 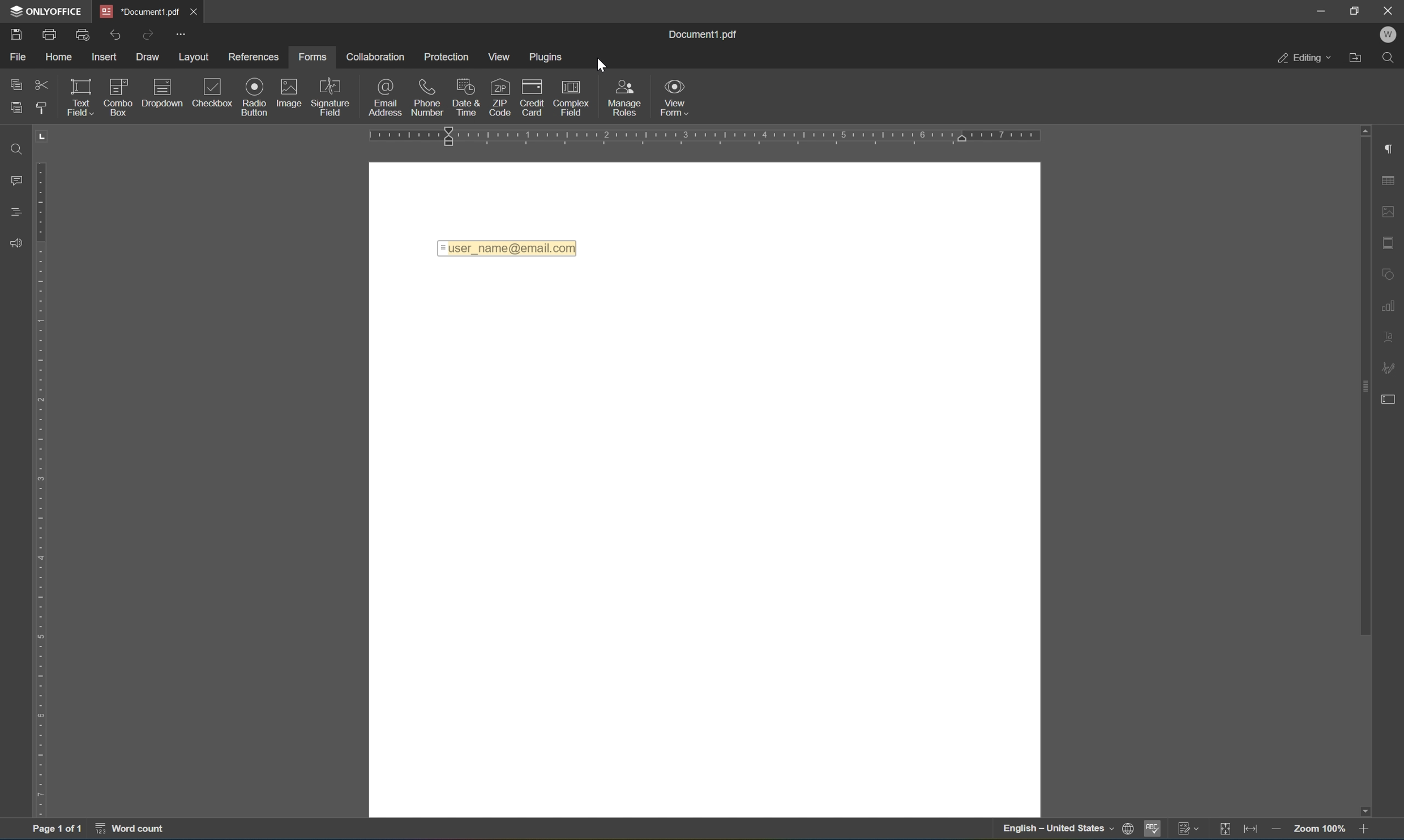 I want to click on phone number, so click(x=426, y=88).